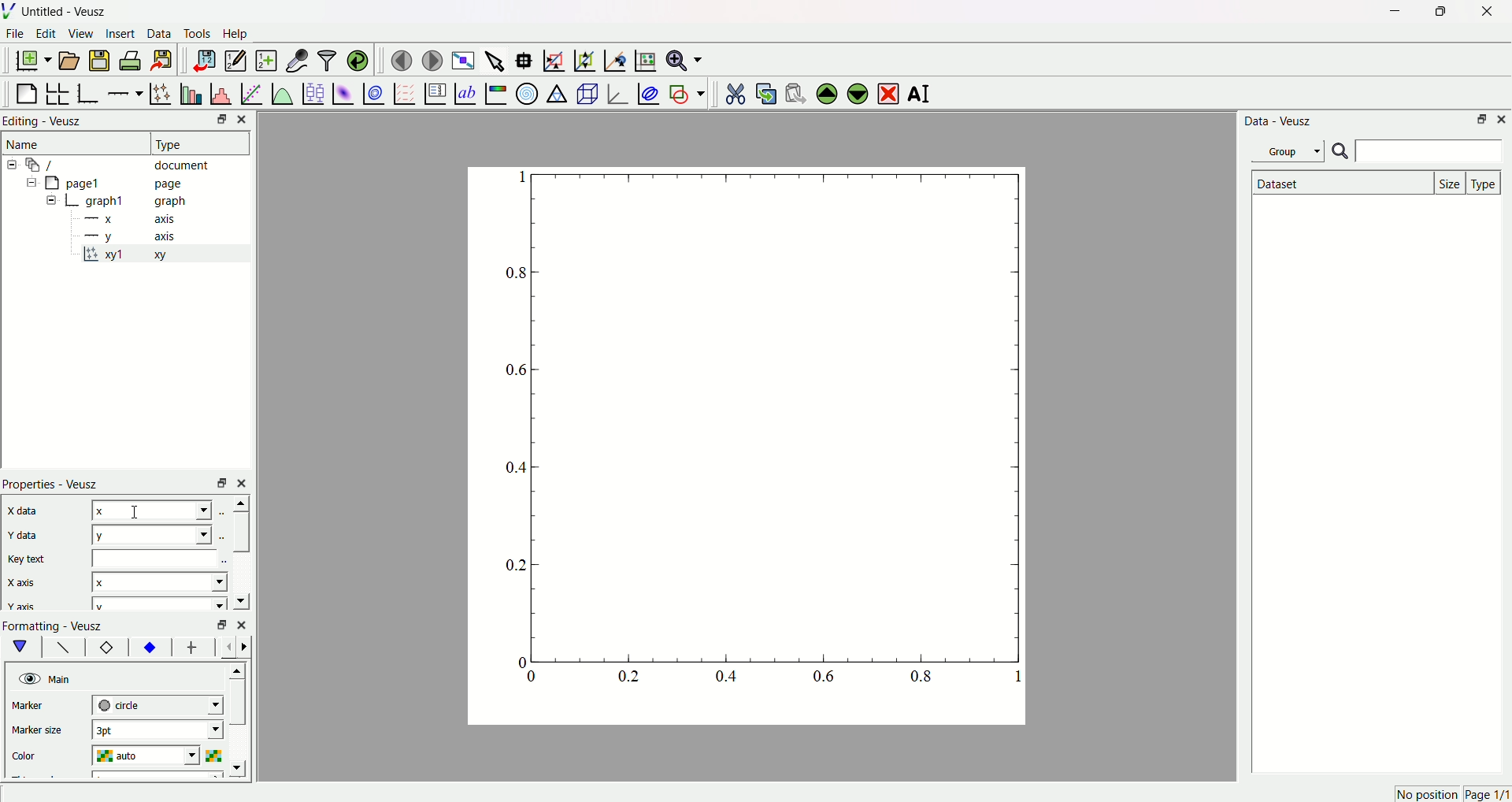 This screenshot has height=802, width=1512. Describe the element at coordinates (496, 58) in the screenshot. I see `select items` at that location.